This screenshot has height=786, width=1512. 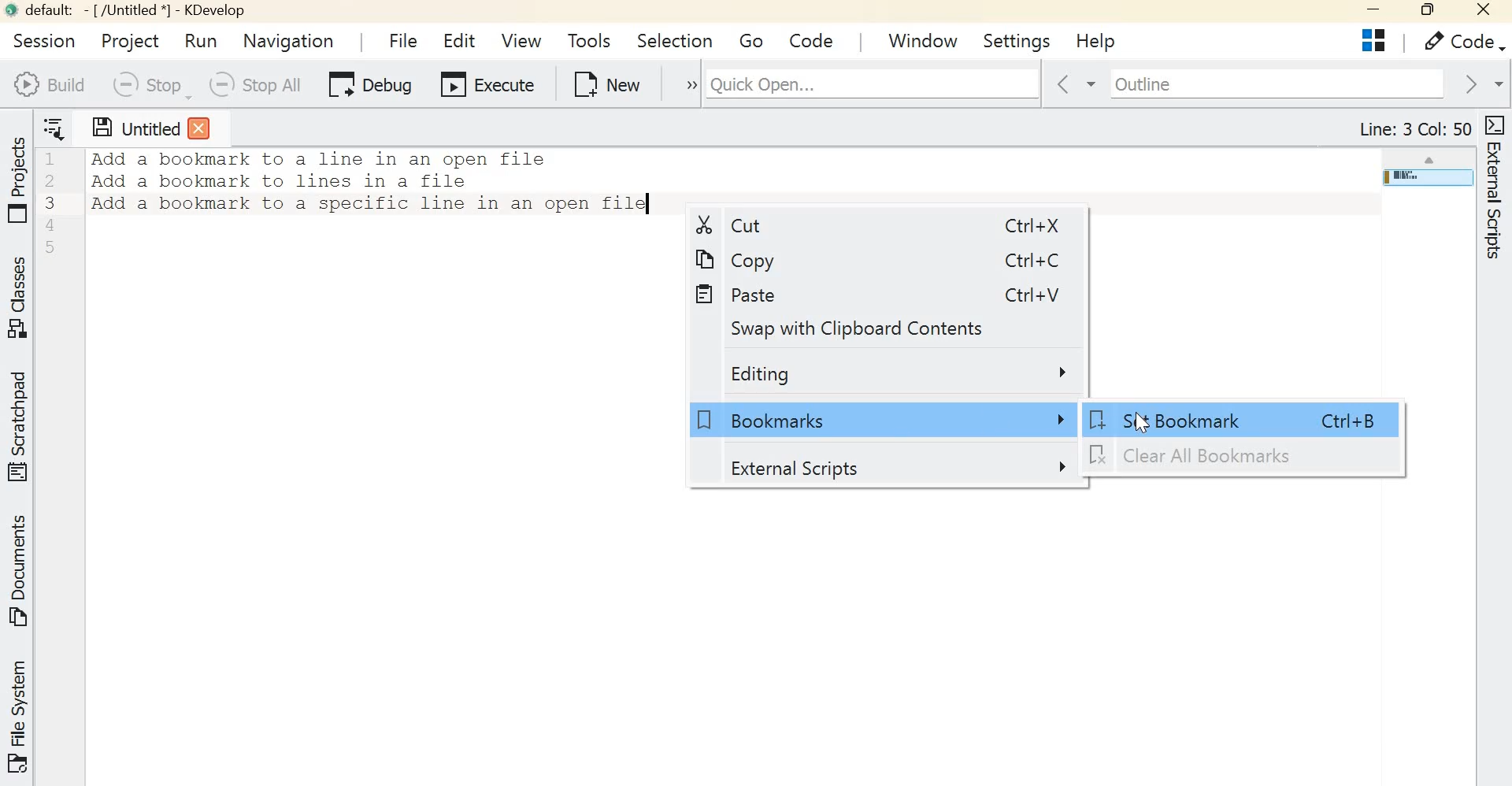 I want to click on Build, so click(x=48, y=84).